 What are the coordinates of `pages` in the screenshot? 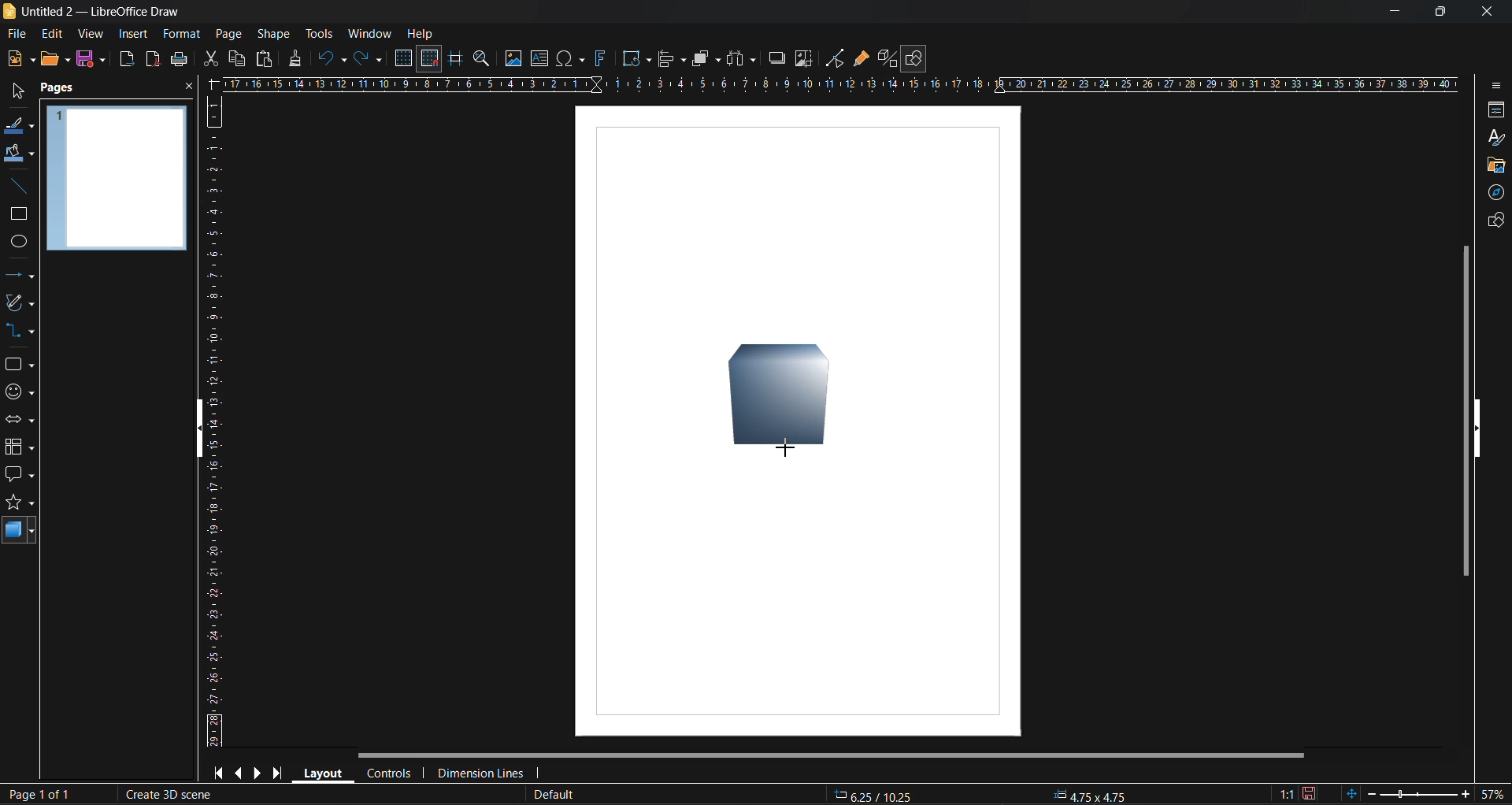 It's located at (62, 88).